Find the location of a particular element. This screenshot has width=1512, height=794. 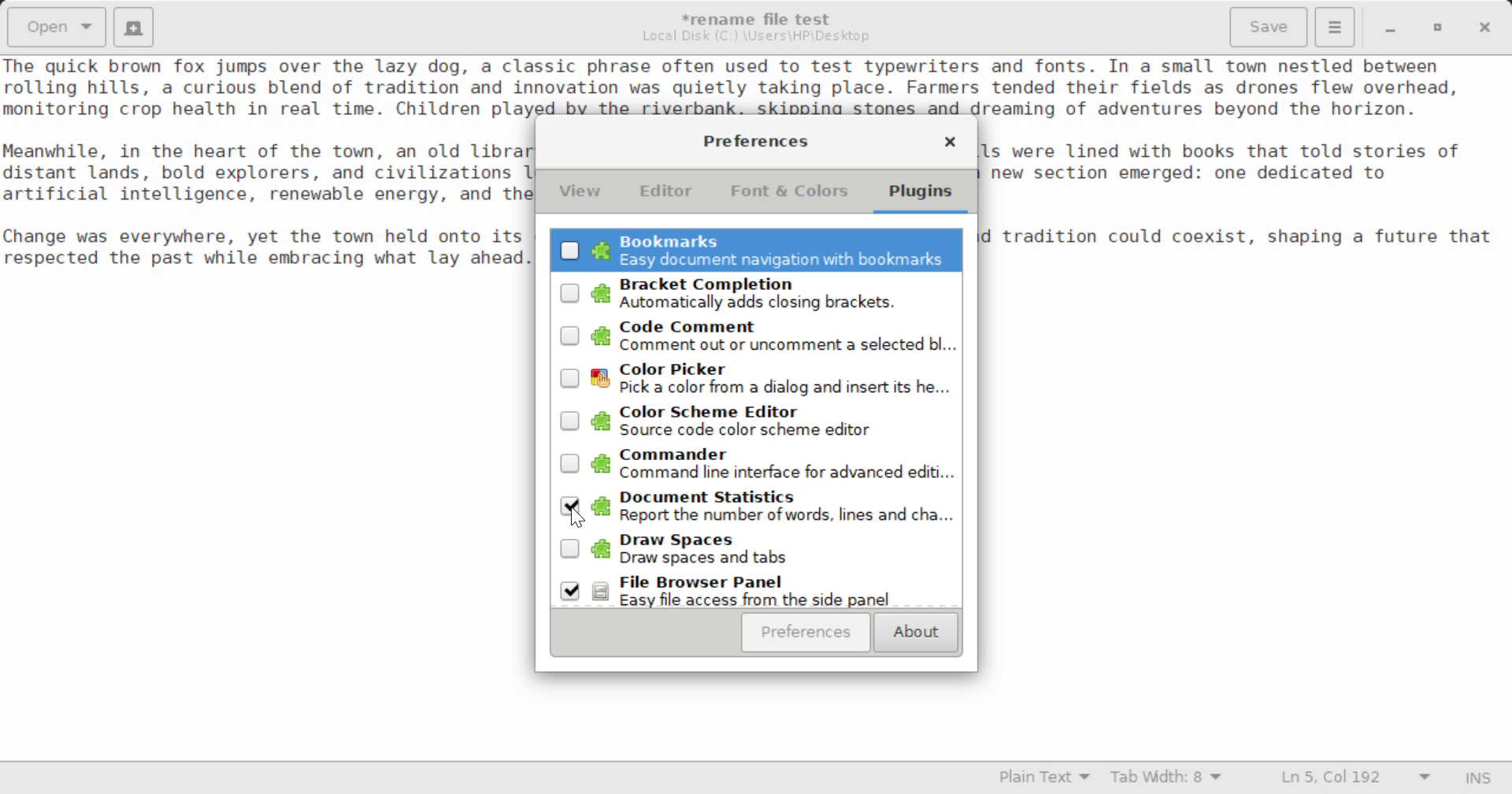

Unselected Color Picker Plugin is located at coordinates (758, 380).